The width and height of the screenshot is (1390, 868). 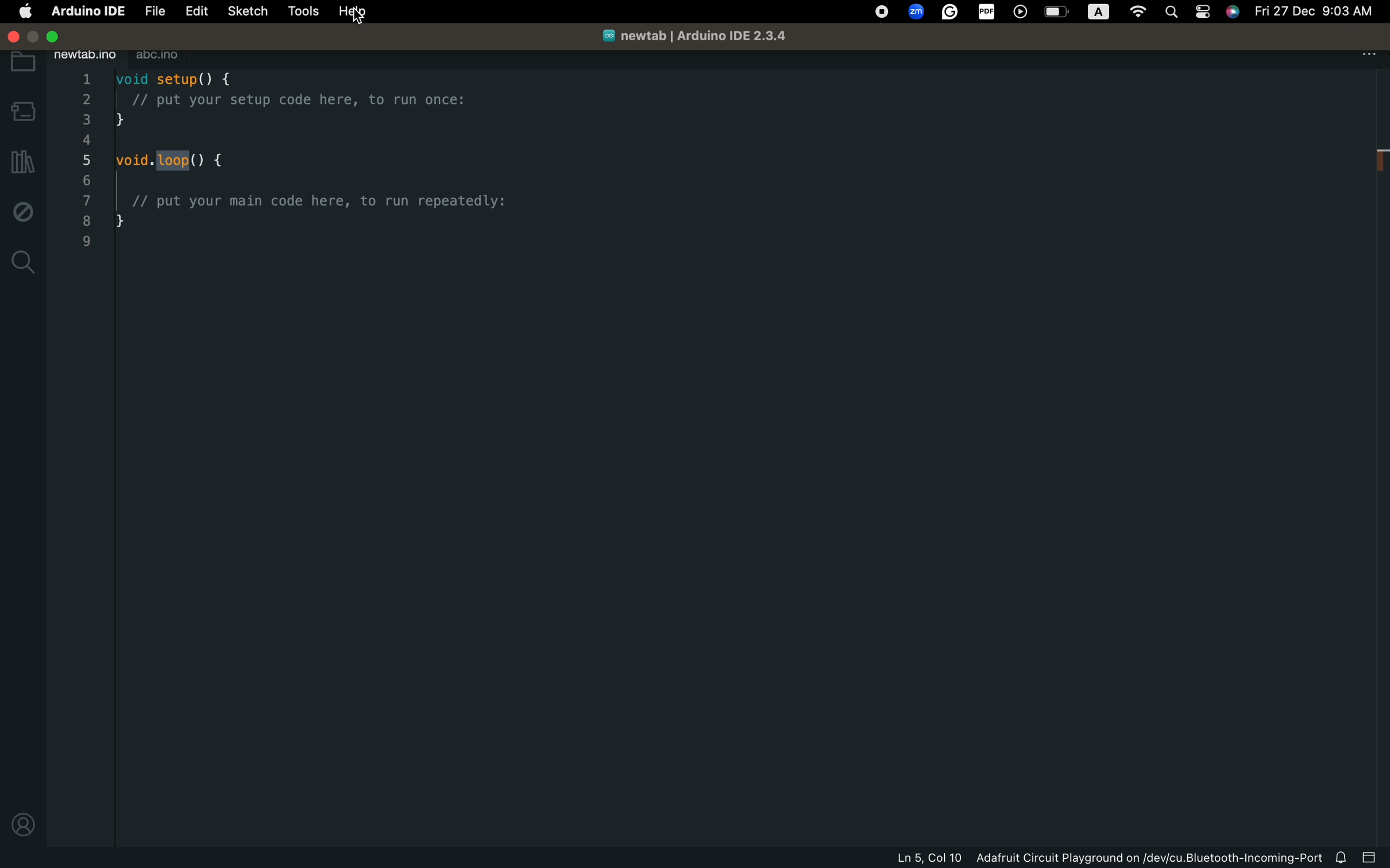 I want to click on Ln 5, Col 10, so click(x=928, y=858).